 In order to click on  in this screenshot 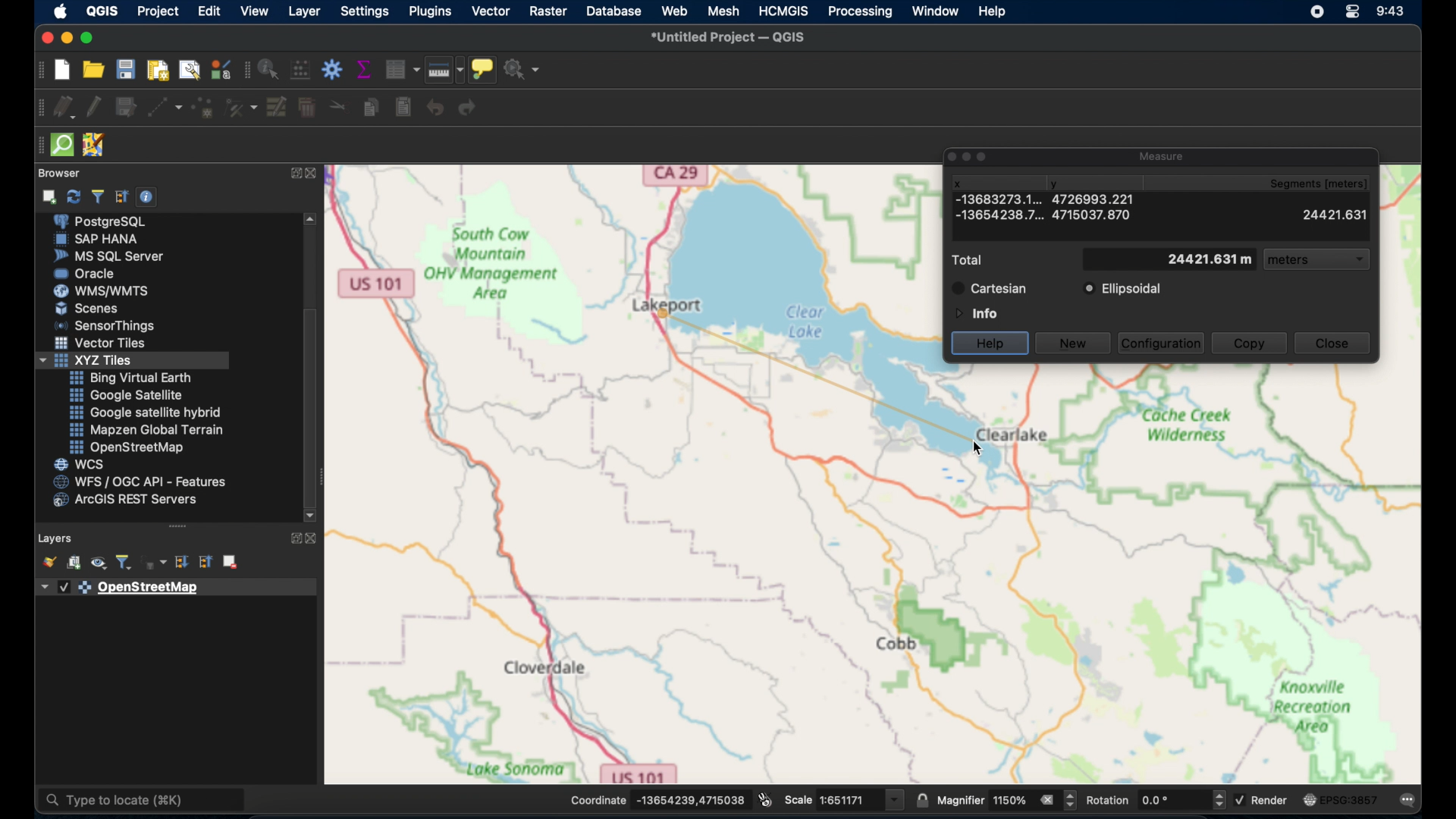, I will do `click(102, 345)`.